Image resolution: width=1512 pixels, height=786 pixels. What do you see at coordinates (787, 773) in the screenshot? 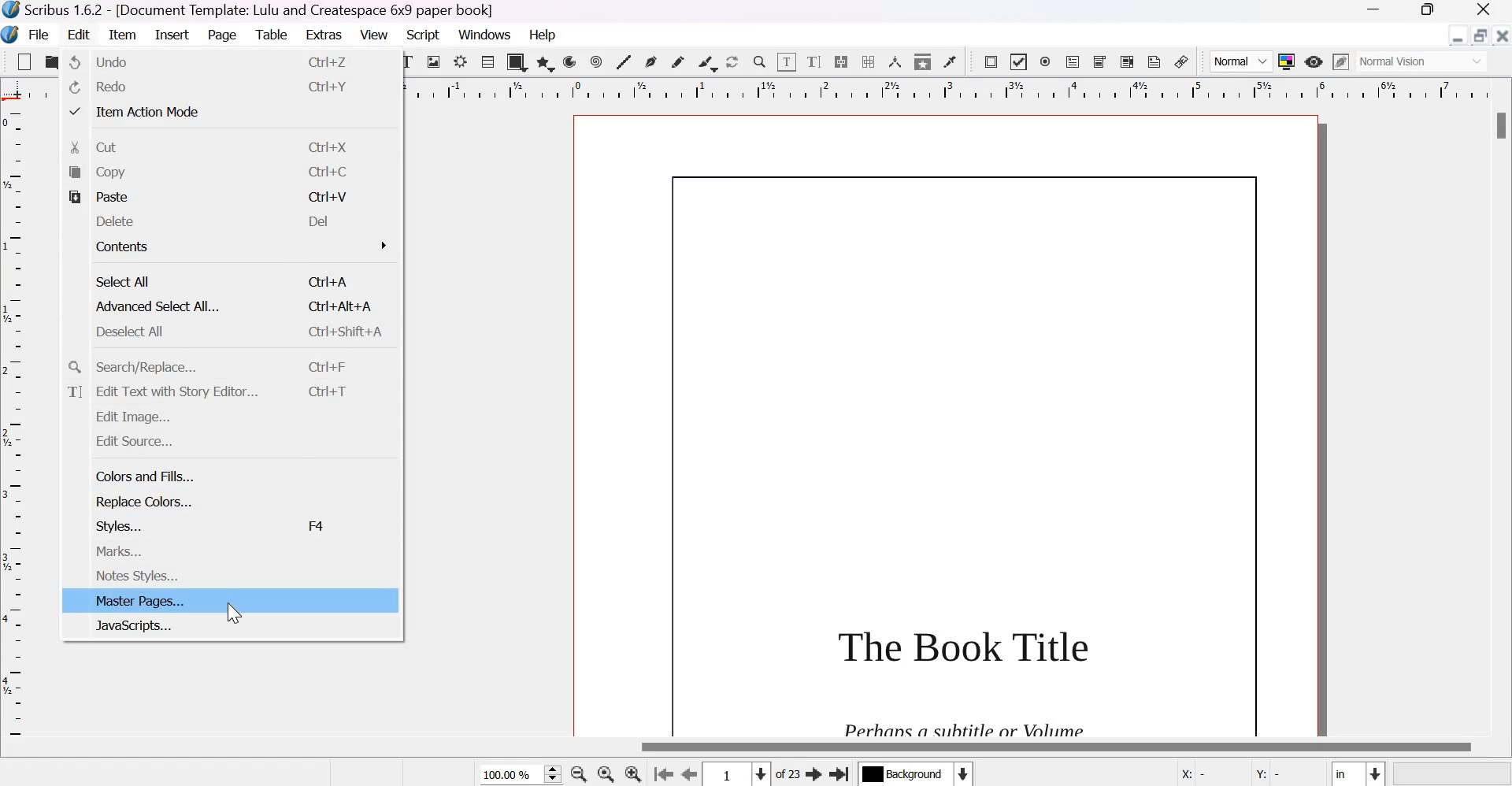
I see `of 23` at bounding box center [787, 773].